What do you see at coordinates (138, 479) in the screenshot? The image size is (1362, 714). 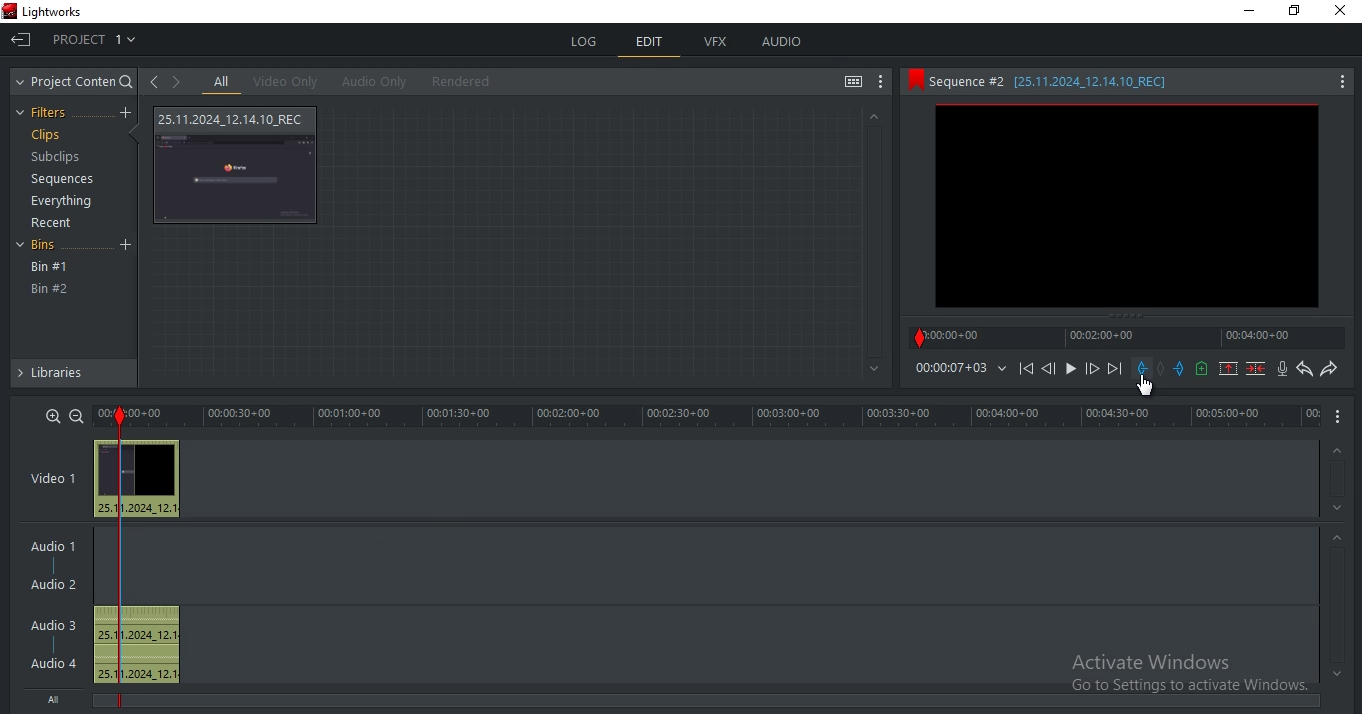 I see `video` at bounding box center [138, 479].